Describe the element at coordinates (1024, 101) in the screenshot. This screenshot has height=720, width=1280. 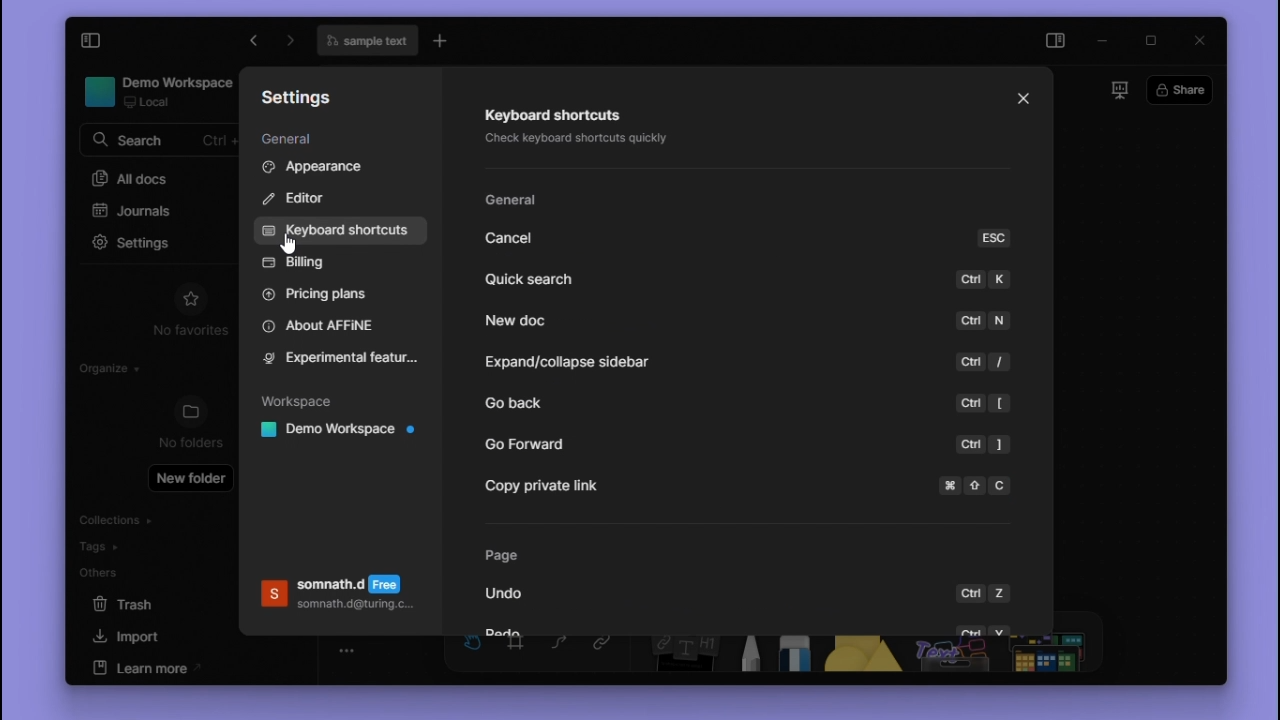
I see `Close` at that location.